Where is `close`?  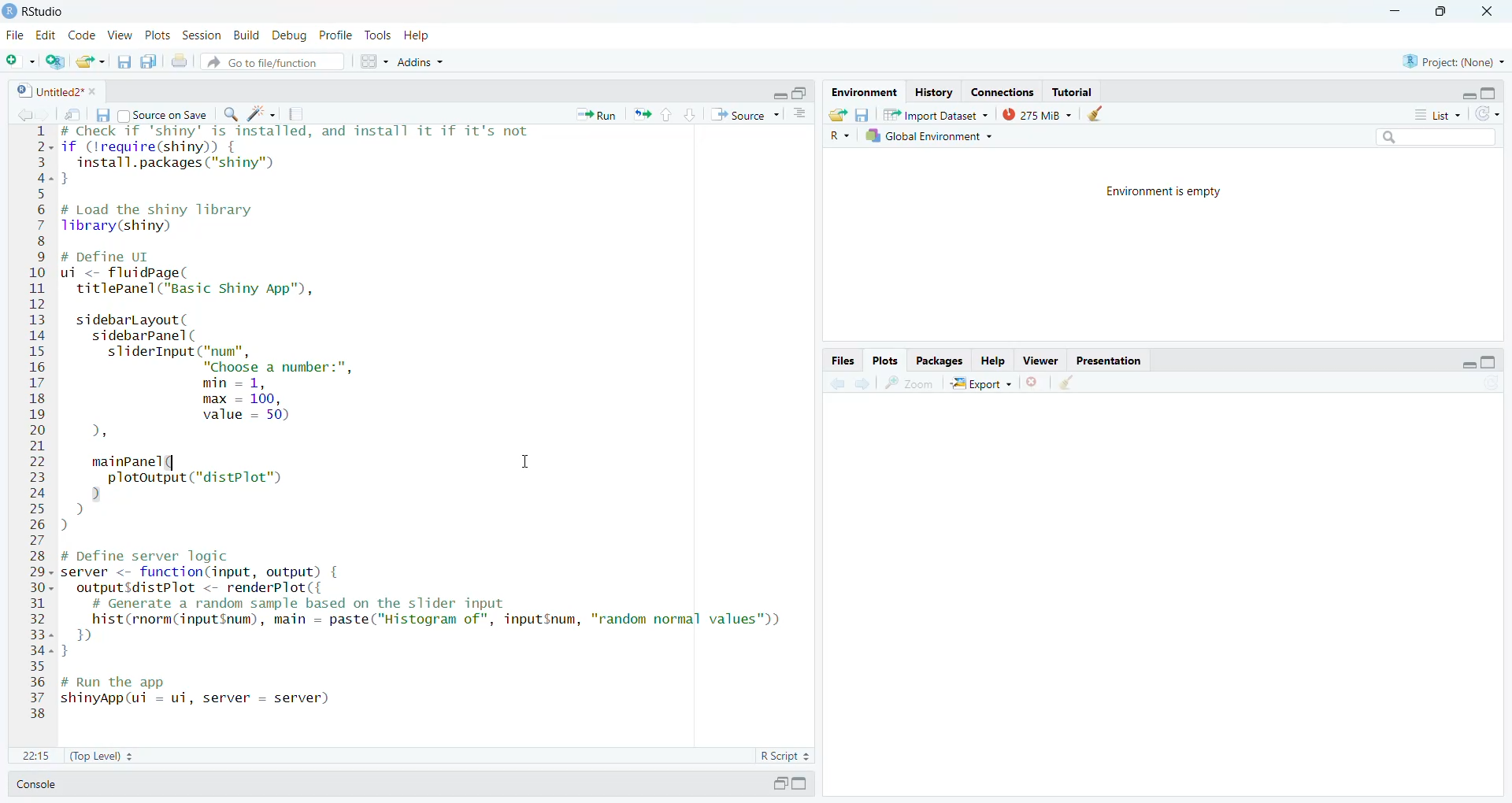
close is located at coordinates (1030, 382).